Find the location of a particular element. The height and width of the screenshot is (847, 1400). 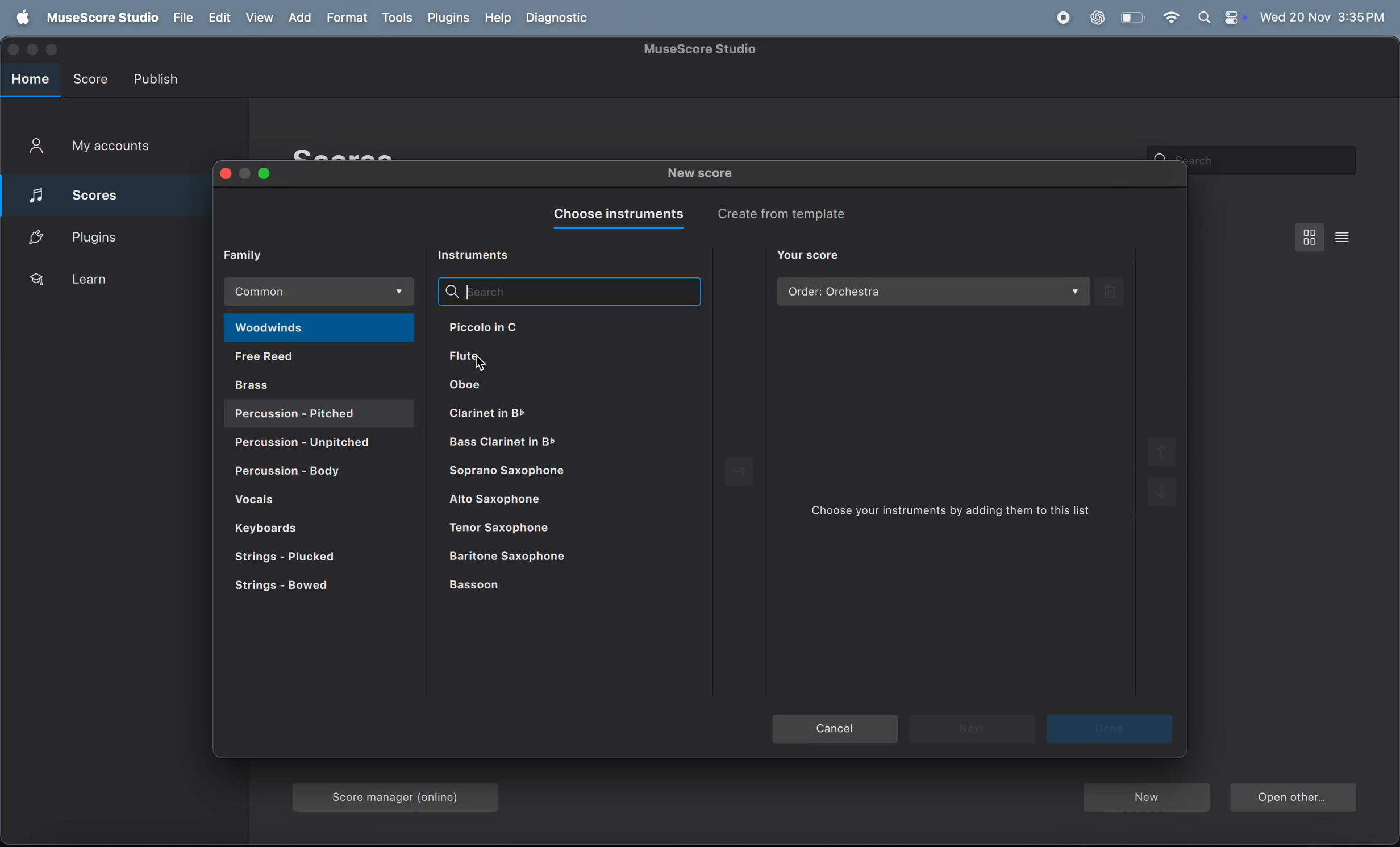

bassom is located at coordinates (531, 587).